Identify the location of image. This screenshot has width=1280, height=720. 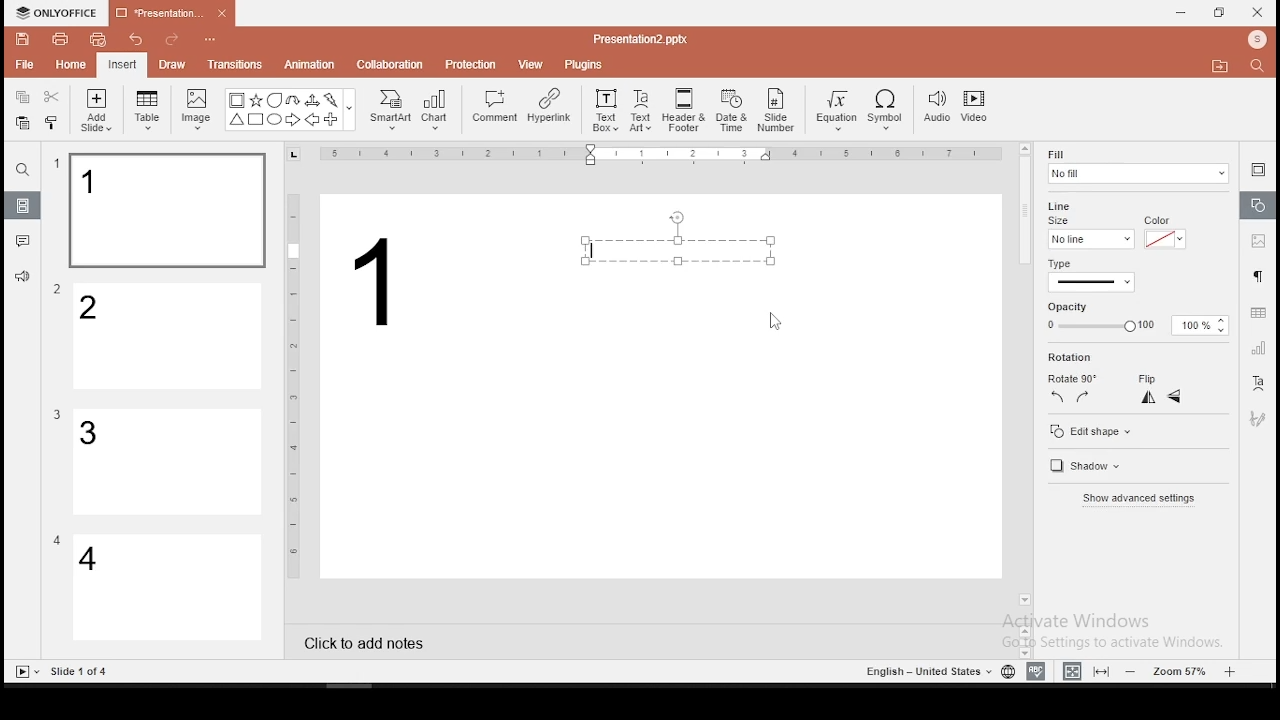
(198, 109).